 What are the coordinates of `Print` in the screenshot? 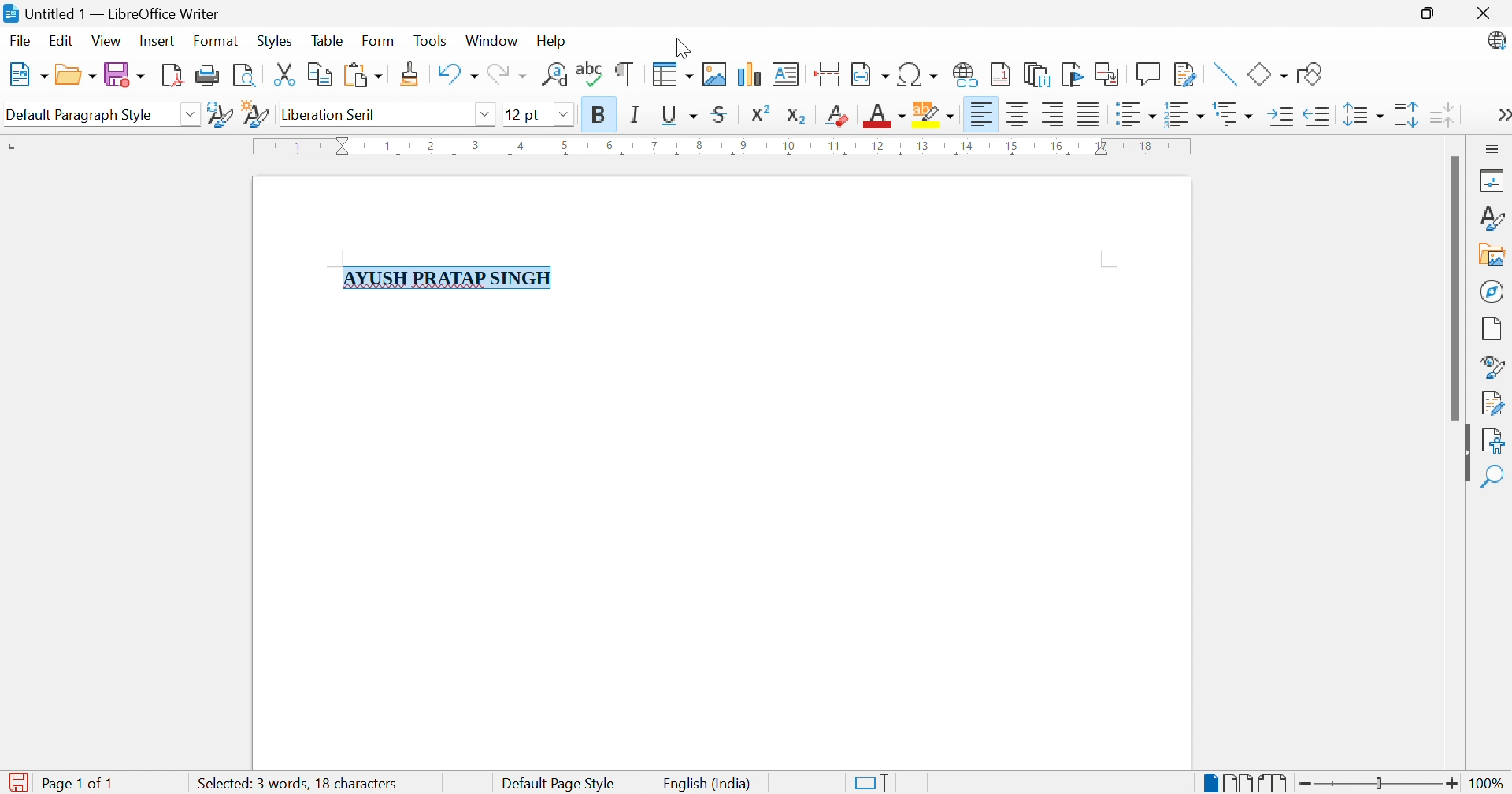 It's located at (206, 76).